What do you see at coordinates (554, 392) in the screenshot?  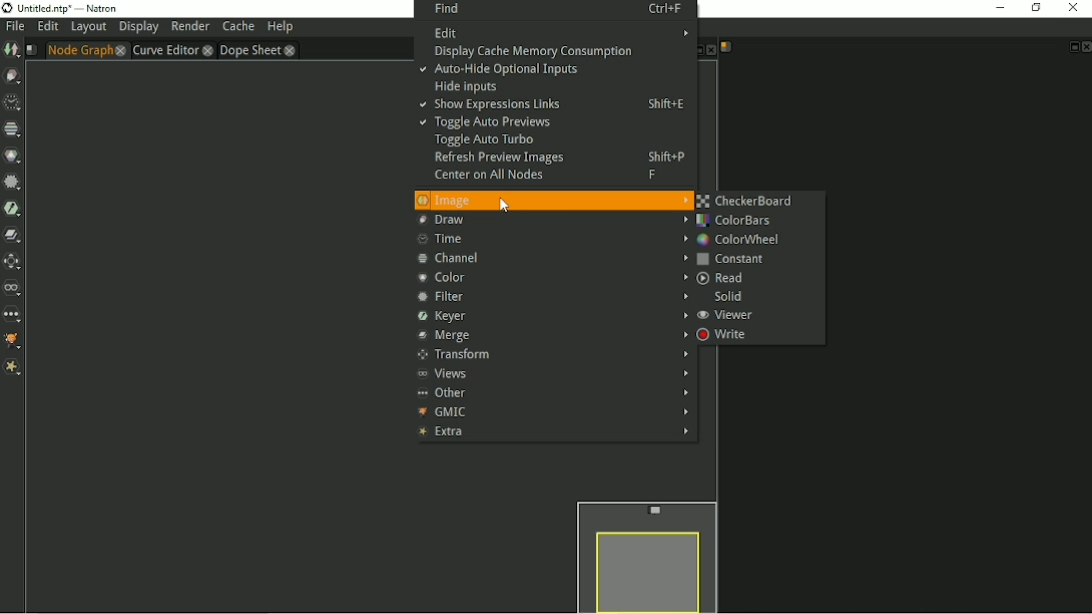 I see `Other` at bounding box center [554, 392].